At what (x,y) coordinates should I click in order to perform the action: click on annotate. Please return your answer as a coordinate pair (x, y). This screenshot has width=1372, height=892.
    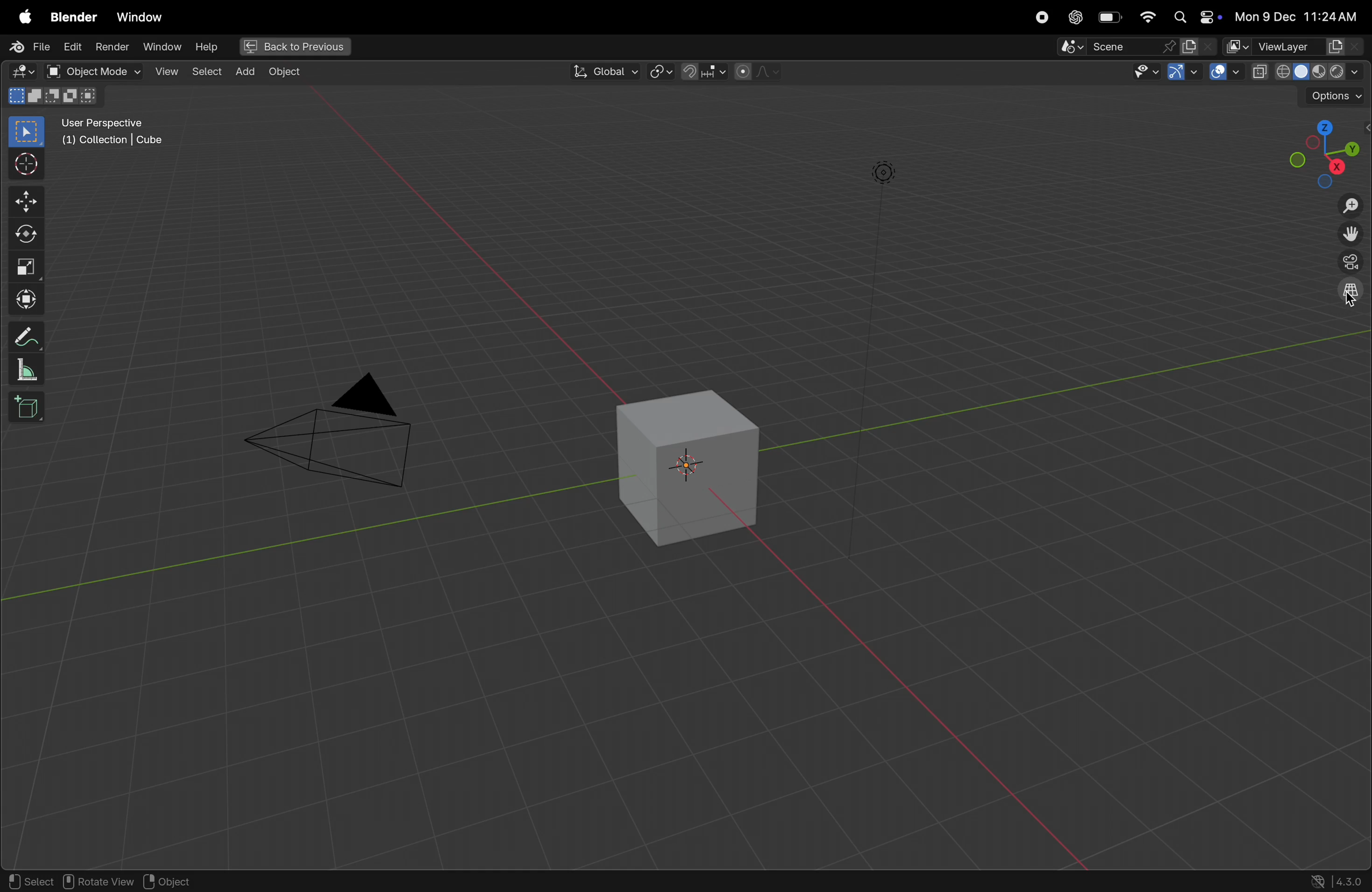
    Looking at the image, I should click on (27, 338).